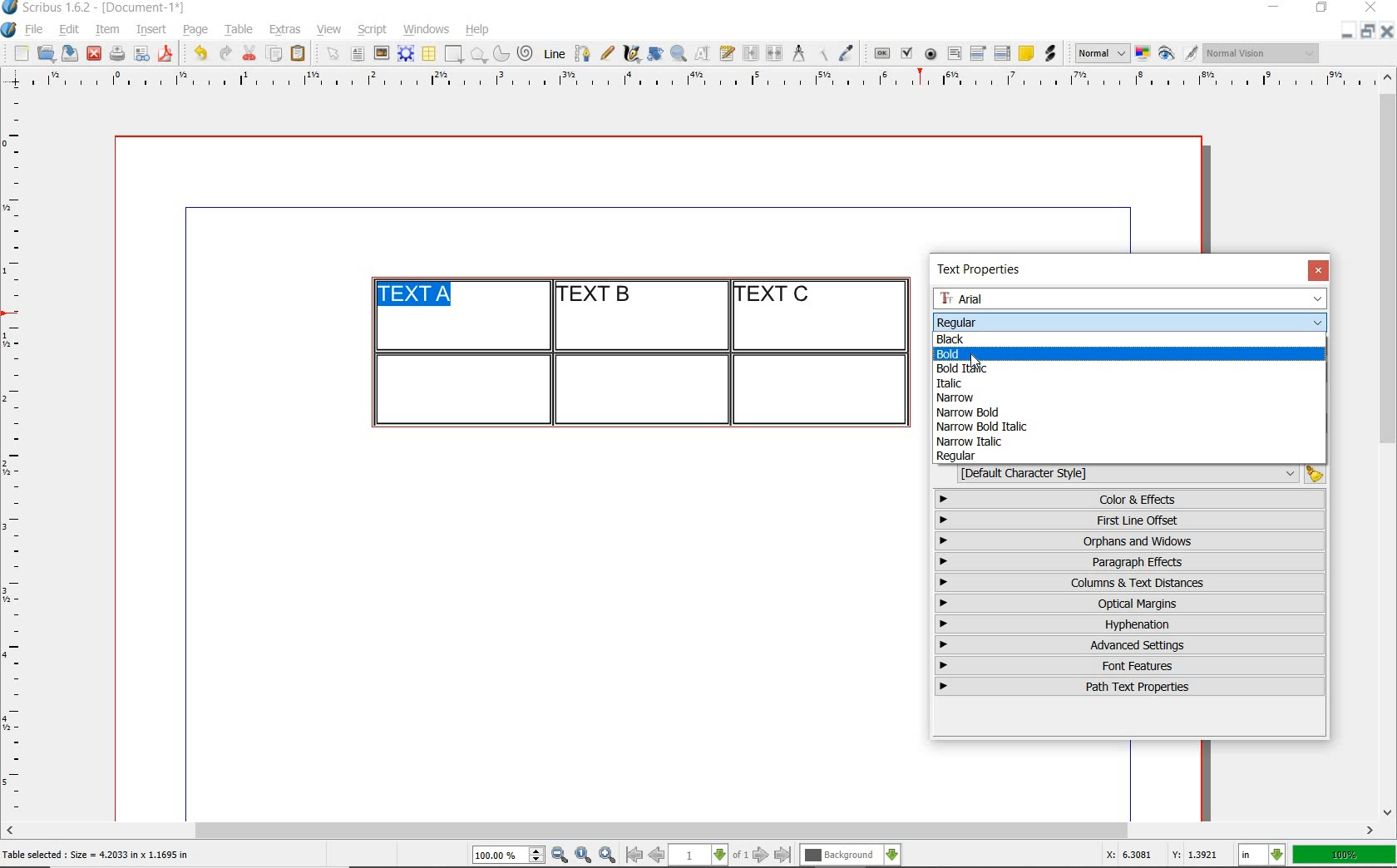 This screenshot has height=868, width=1397. What do you see at coordinates (301, 54) in the screenshot?
I see `paste` at bounding box center [301, 54].